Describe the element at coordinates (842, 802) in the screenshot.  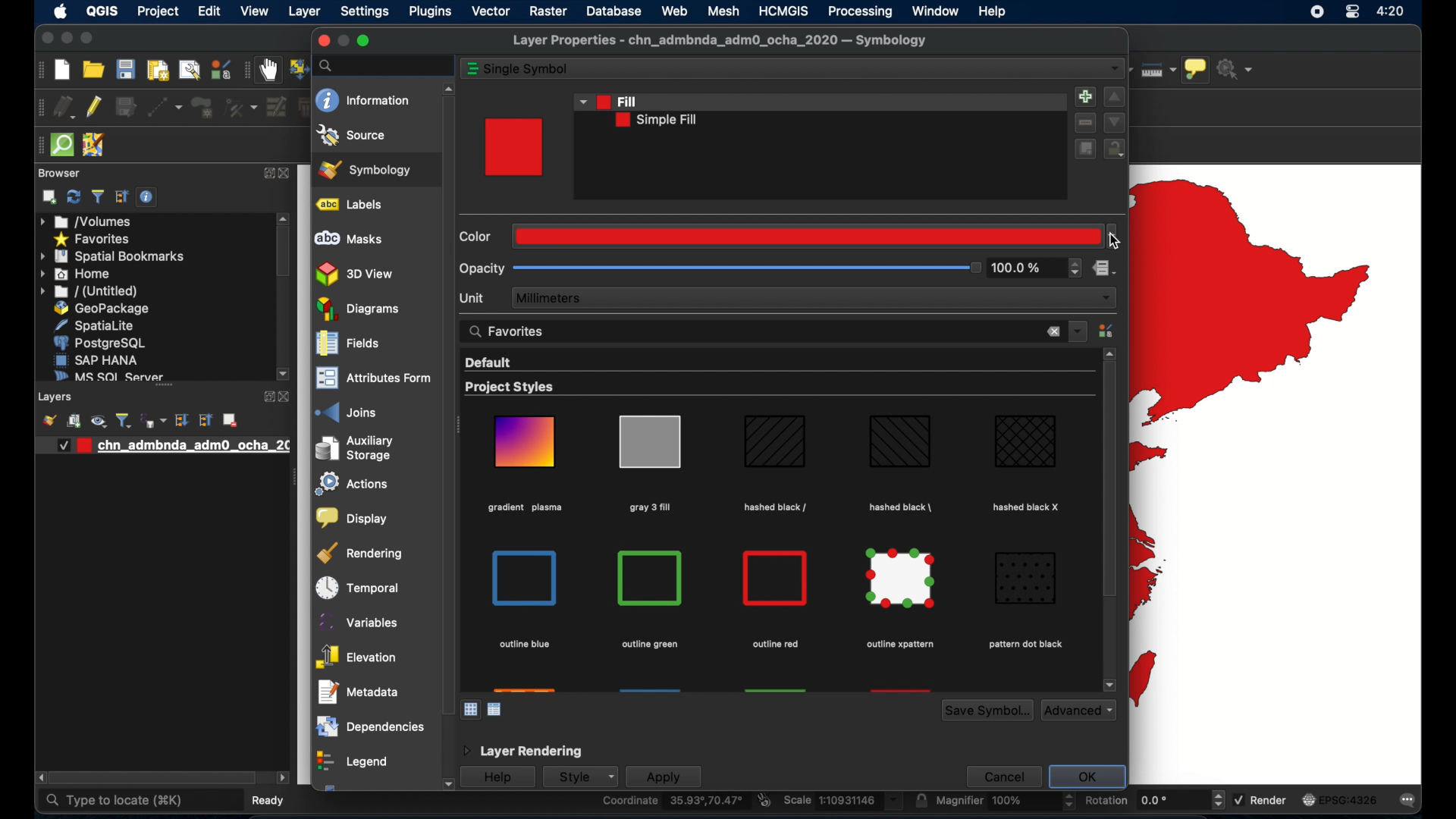
I see `scale` at that location.